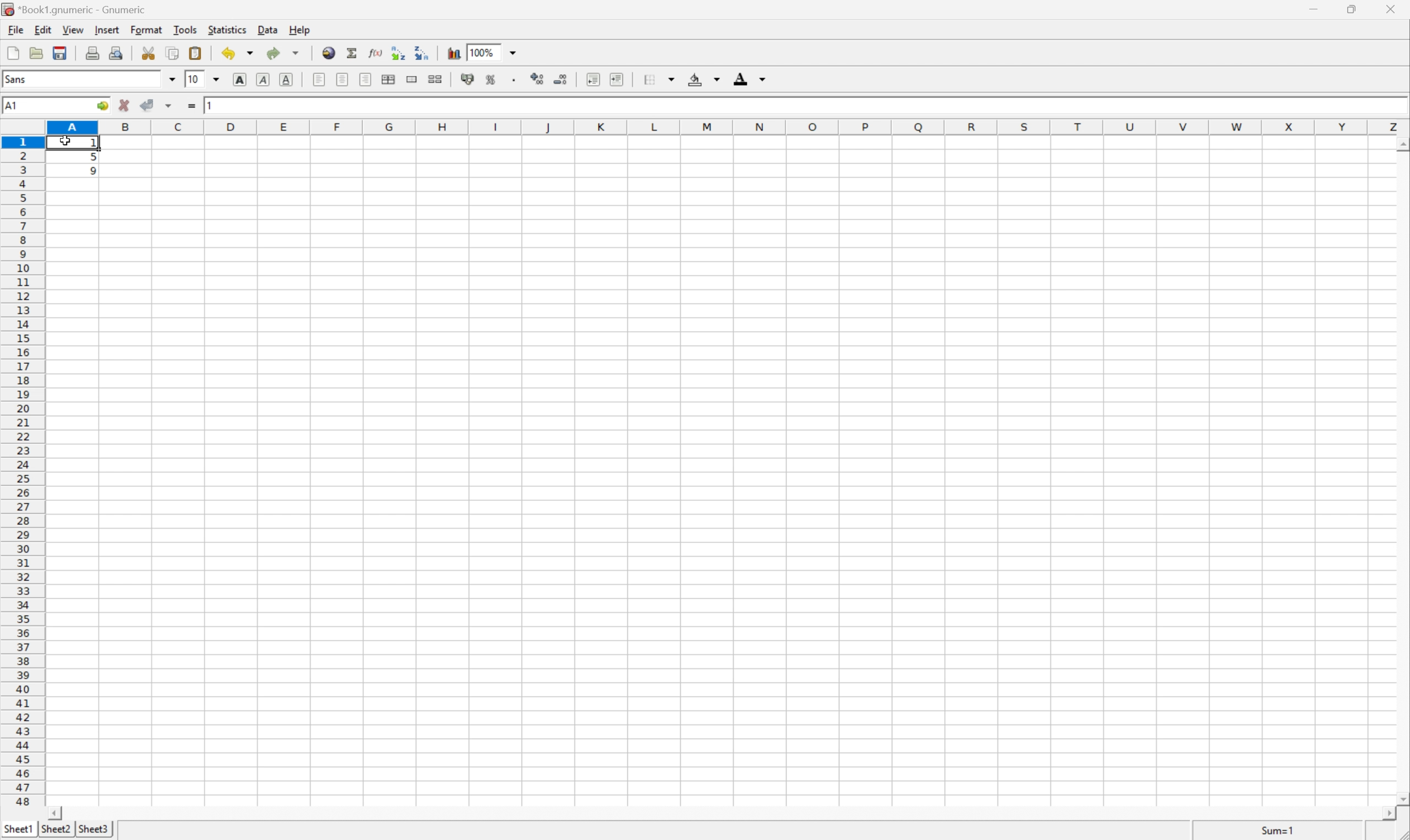  I want to click on format, so click(148, 29).